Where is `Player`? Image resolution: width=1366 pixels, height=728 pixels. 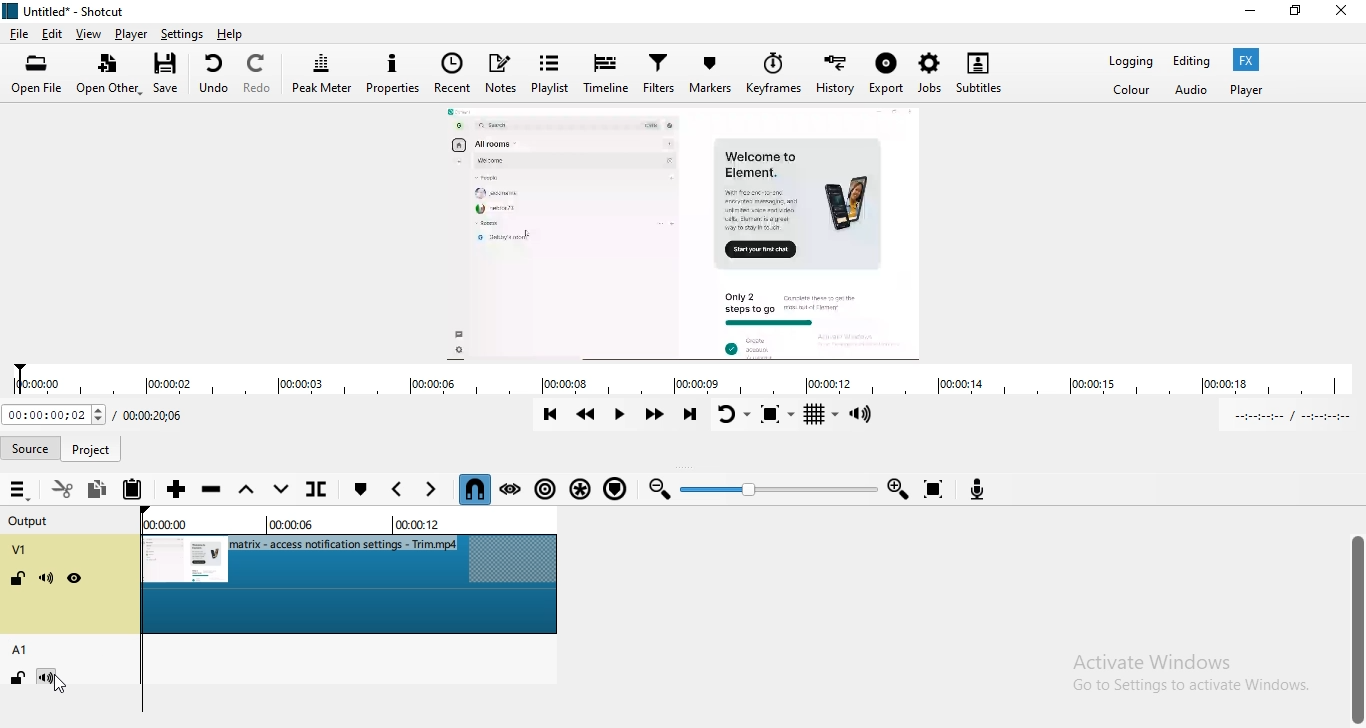
Player is located at coordinates (132, 33).